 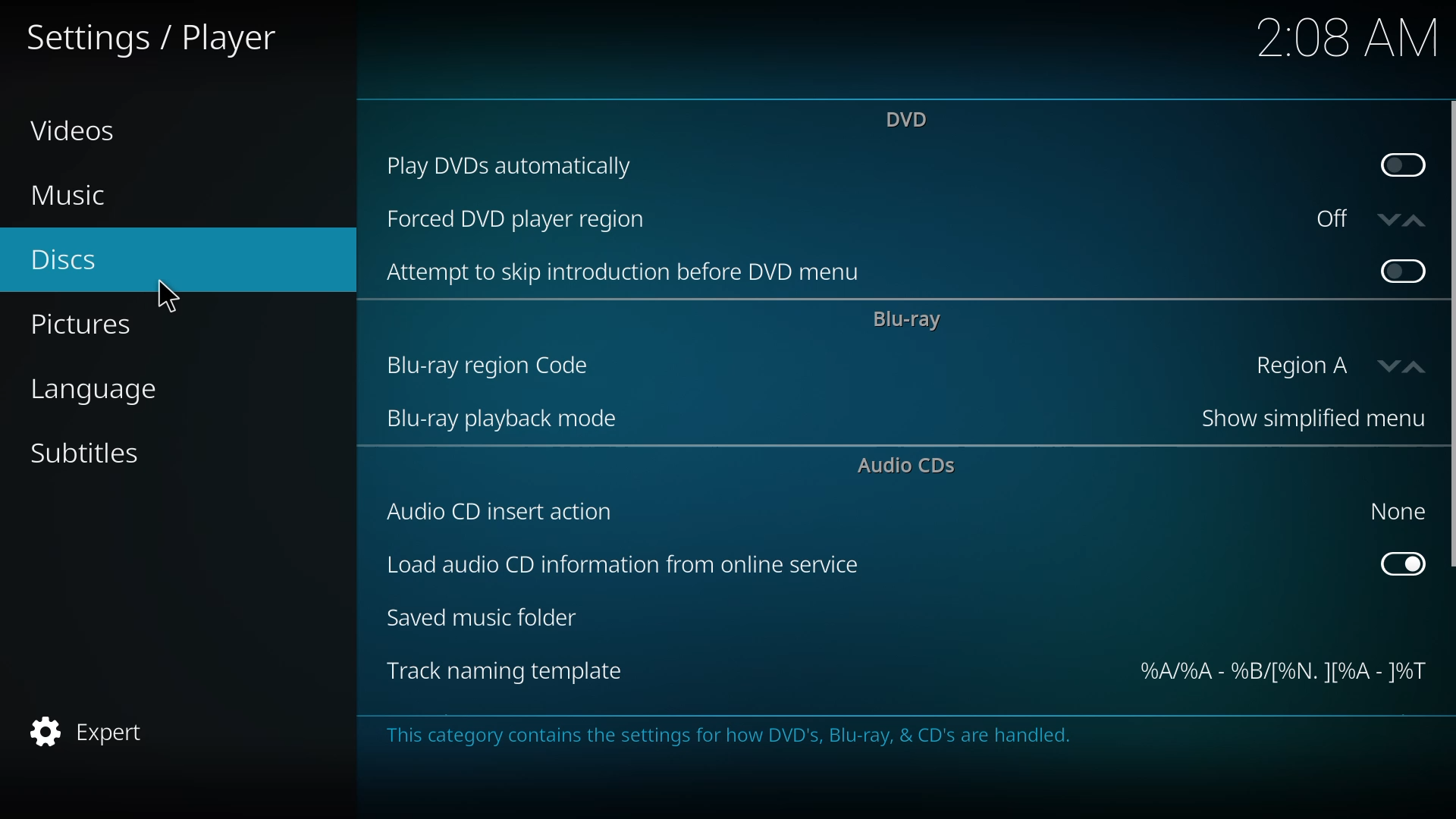 I want to click on discs, so click(x=64, y=262).